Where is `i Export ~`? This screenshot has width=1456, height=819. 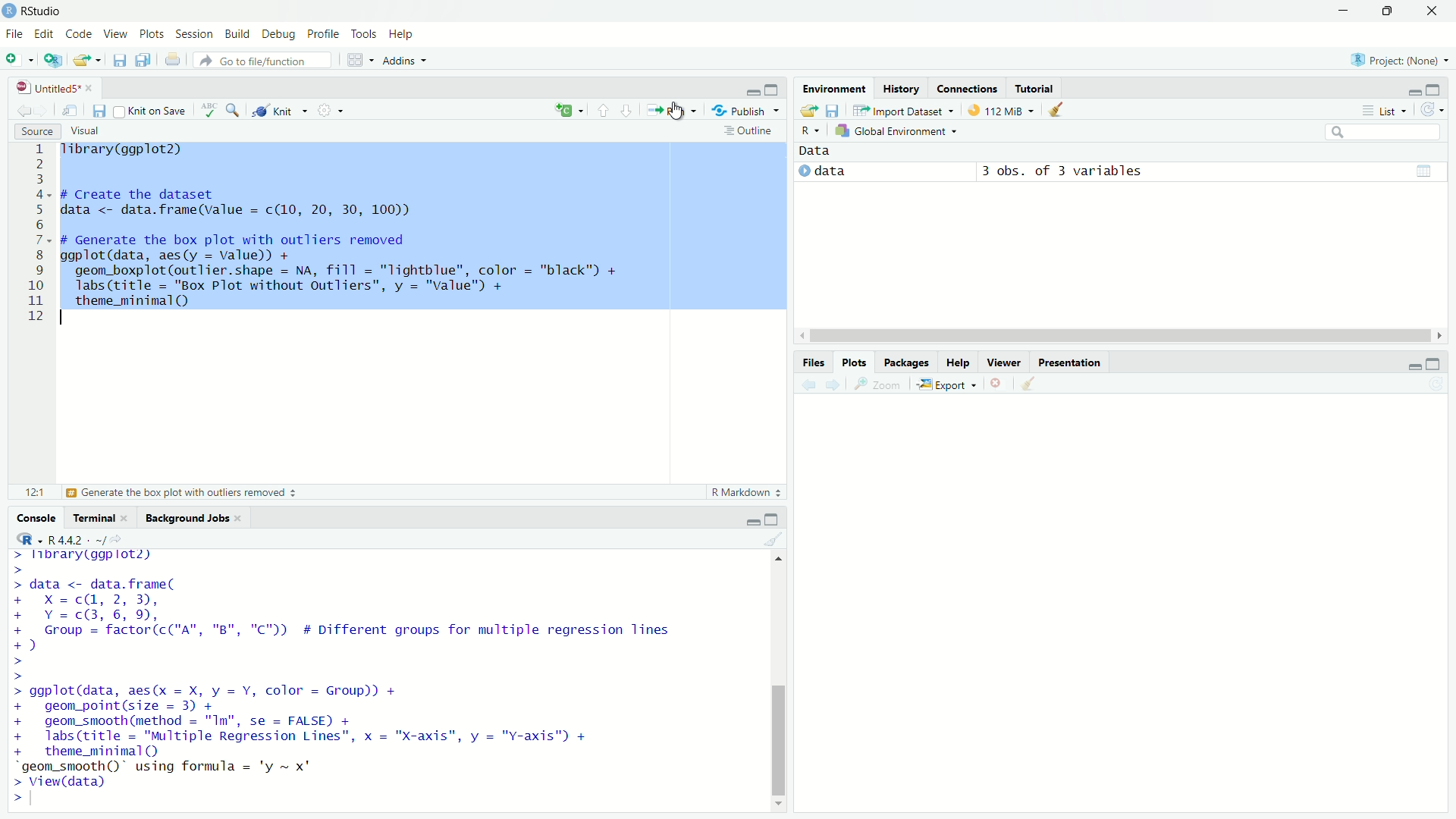
i Export ~ is located at coordinates (949, 383).